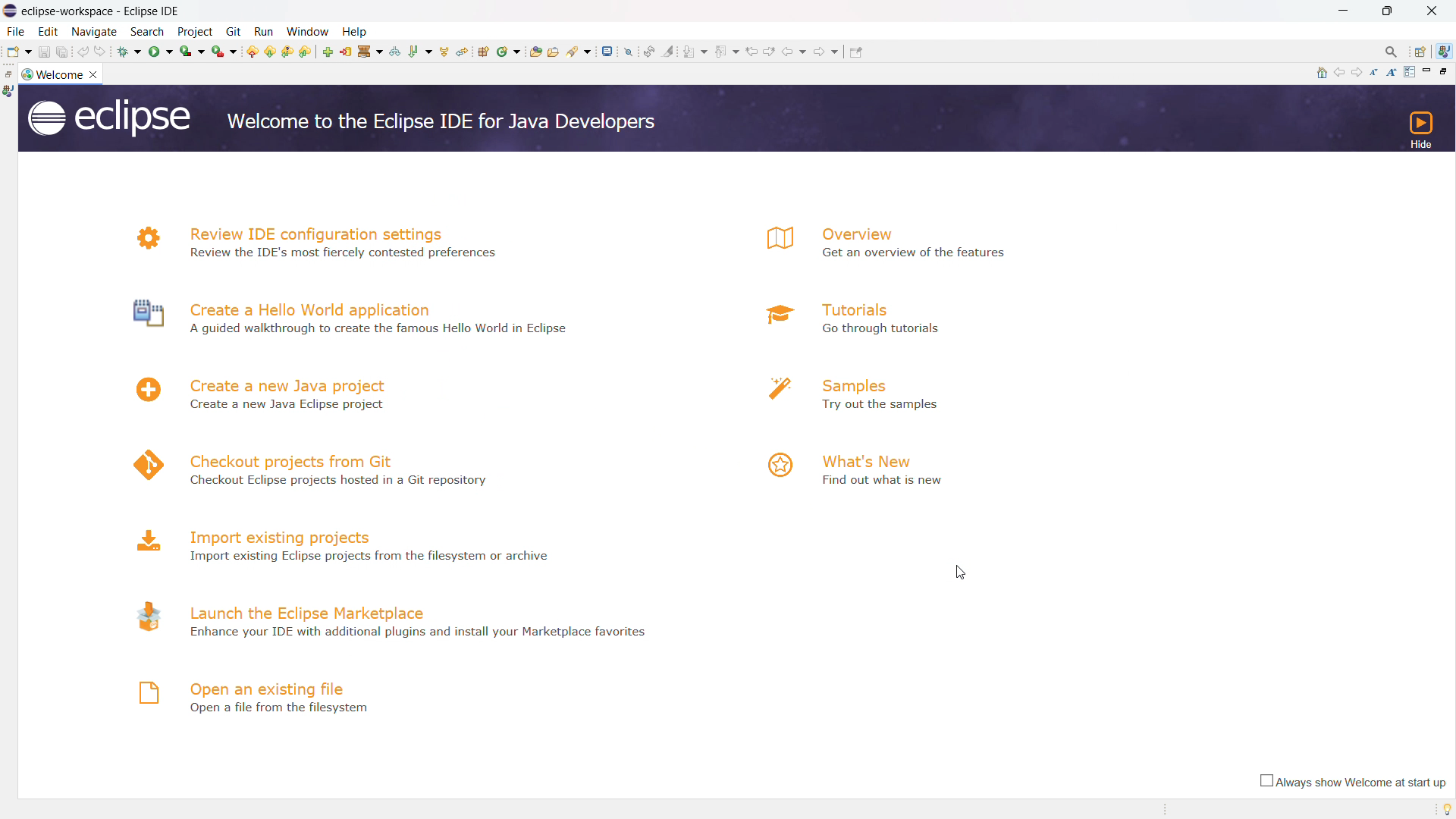 The height and width of the screenshot is (819, 1456). Describe the element at coordinates (381, 328) in the screenshot. I see `A guided walkthrough to create the famous Hello World in Eclipse` at that location.